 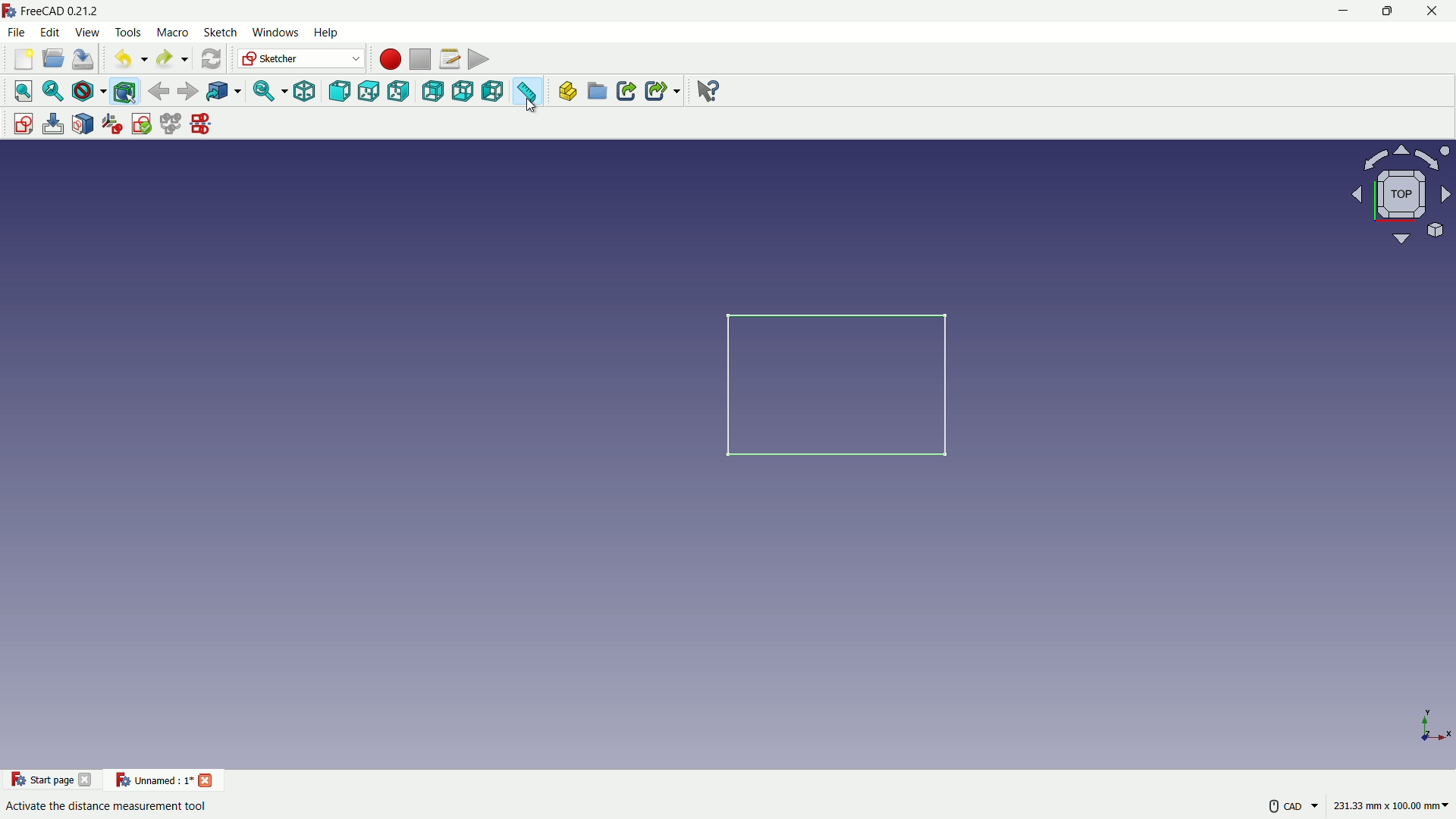 I want to click on macro, so click(x=171, y=33).